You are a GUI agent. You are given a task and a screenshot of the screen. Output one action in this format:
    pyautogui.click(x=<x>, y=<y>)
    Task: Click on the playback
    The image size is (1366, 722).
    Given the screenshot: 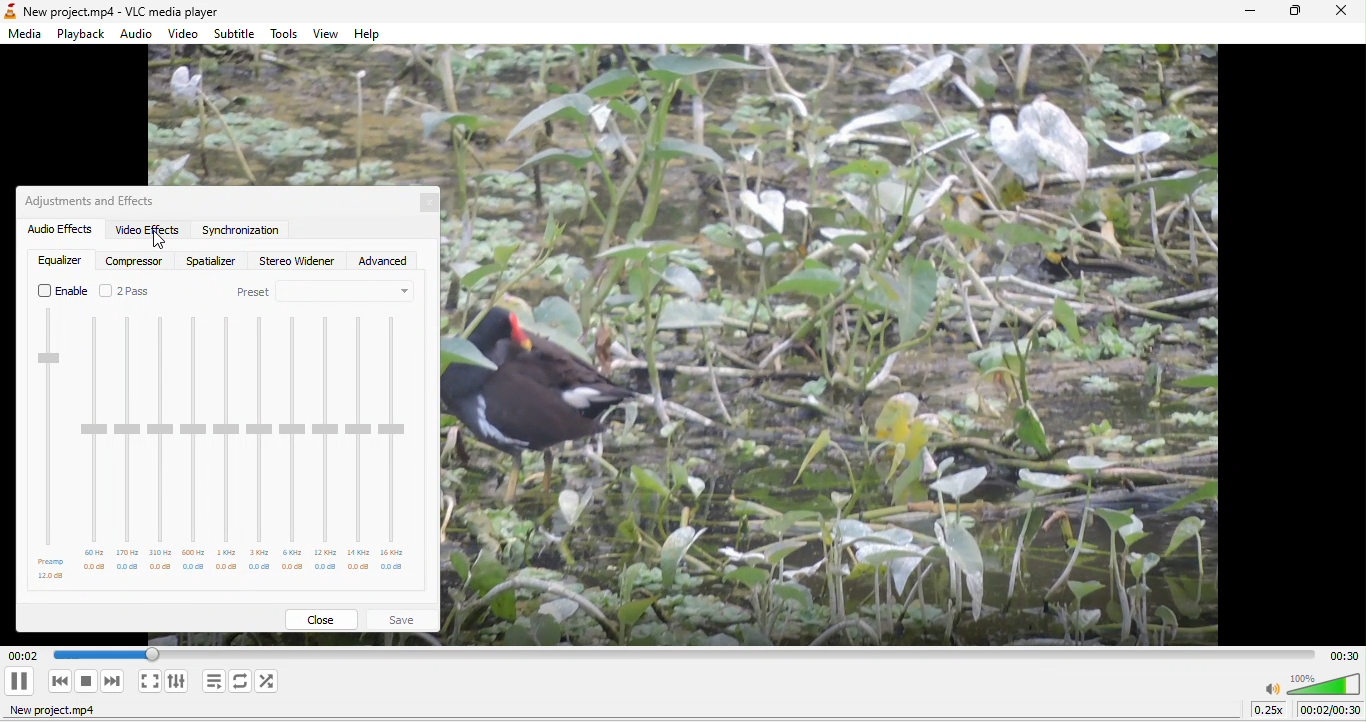 What is the action you would take?
    pyautogui.click(x=79, y=33)
    